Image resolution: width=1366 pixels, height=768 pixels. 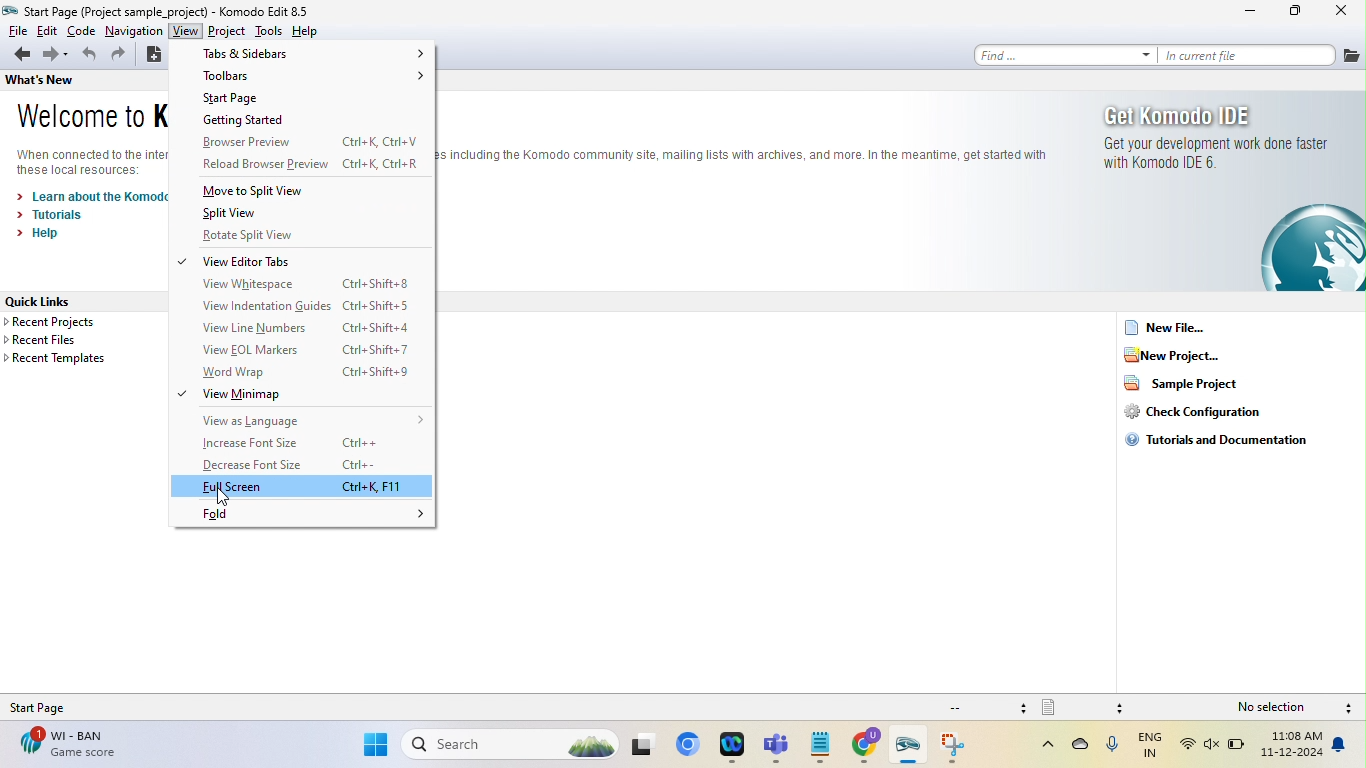 What do you see at coordinates (304, 165) in the screenshot?
I see `reload browser preview` at bounding box center [304, 165].